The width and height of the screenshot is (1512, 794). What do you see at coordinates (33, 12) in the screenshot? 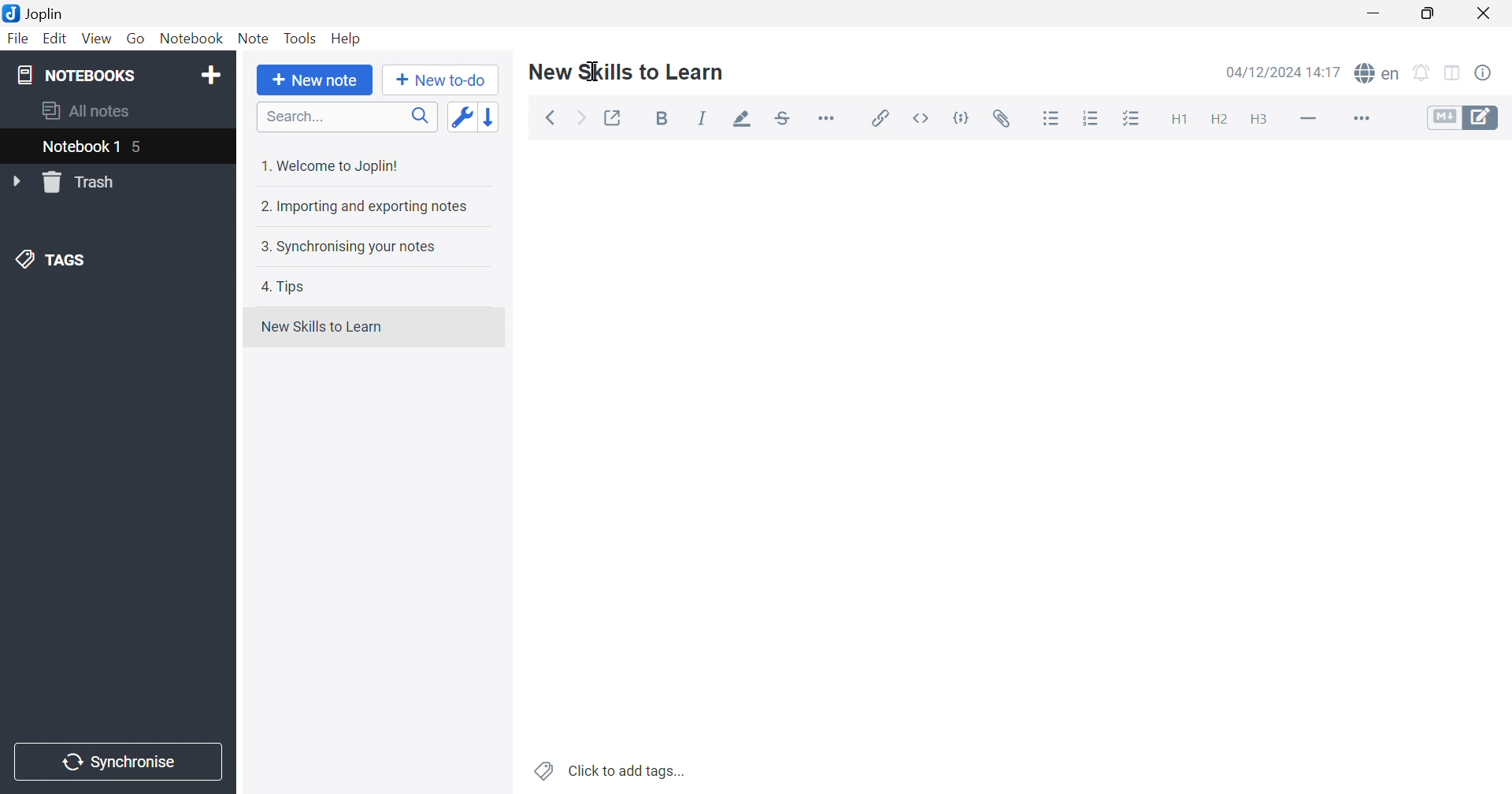
I see `Joplin` at bounding box center [33, 12].